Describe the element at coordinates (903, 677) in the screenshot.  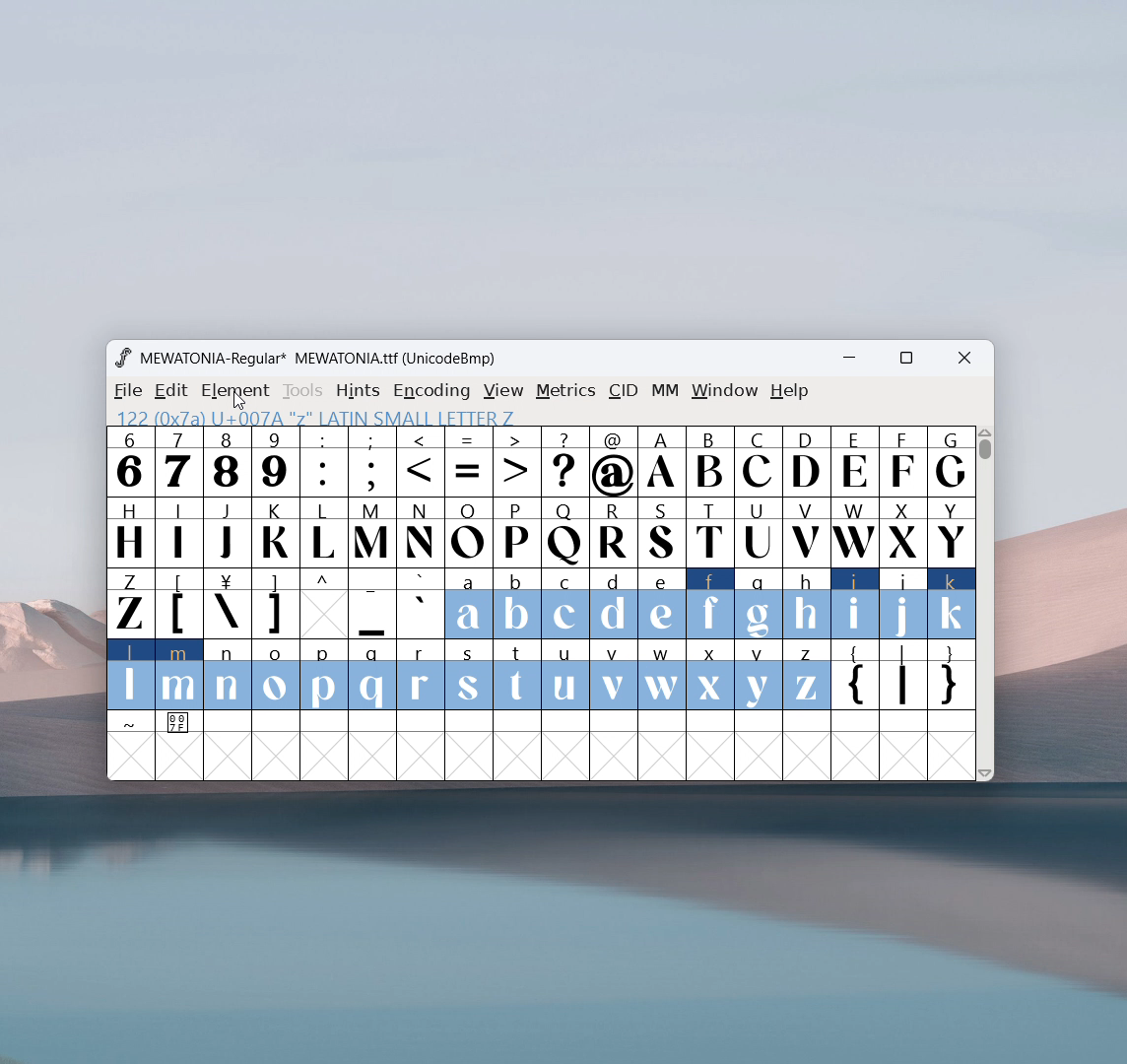
I see `|` at that location.